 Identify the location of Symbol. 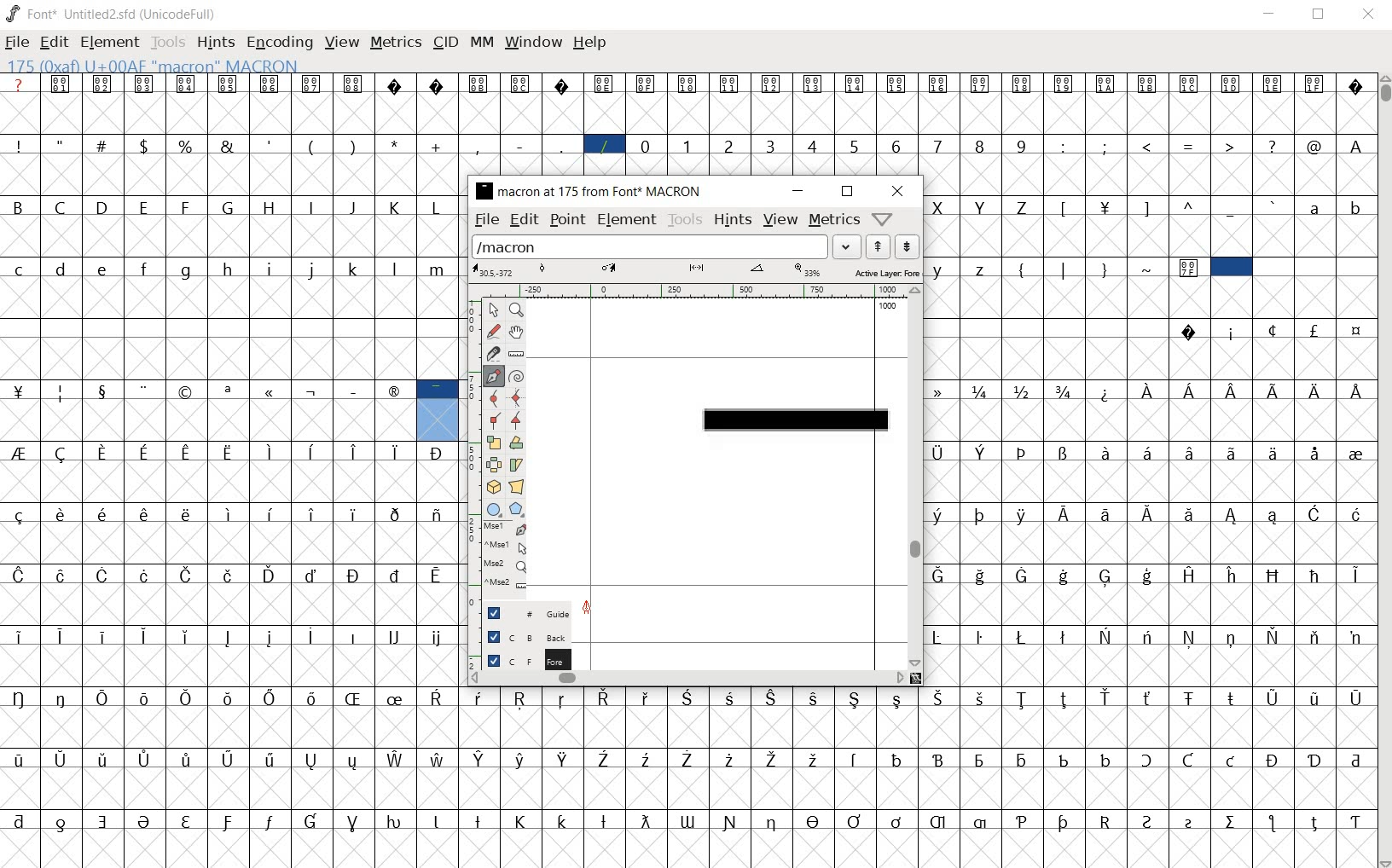
(687, 819).